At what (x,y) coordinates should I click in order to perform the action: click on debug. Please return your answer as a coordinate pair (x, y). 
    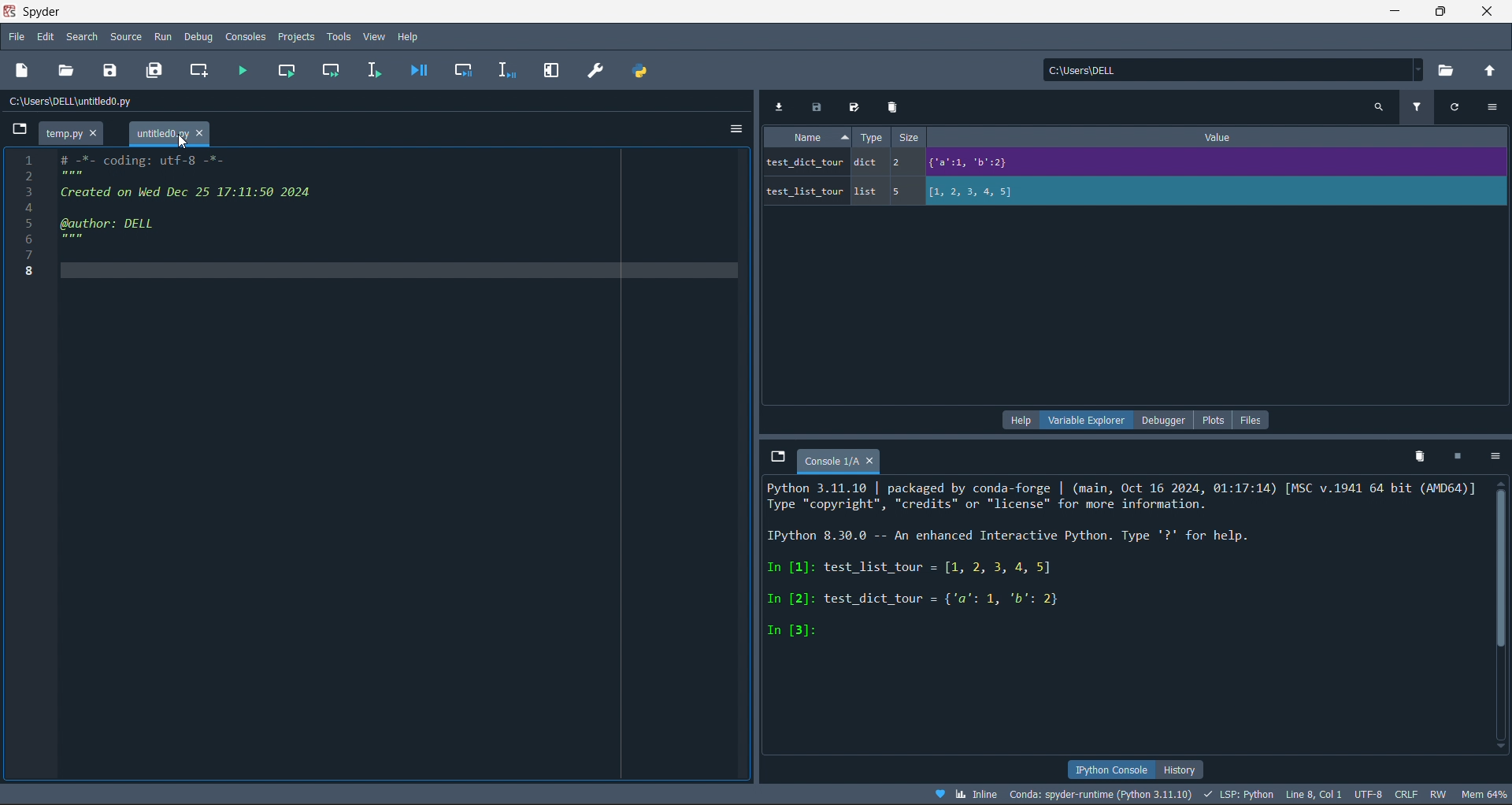
    Looking at the image, I should click on (199, 37).